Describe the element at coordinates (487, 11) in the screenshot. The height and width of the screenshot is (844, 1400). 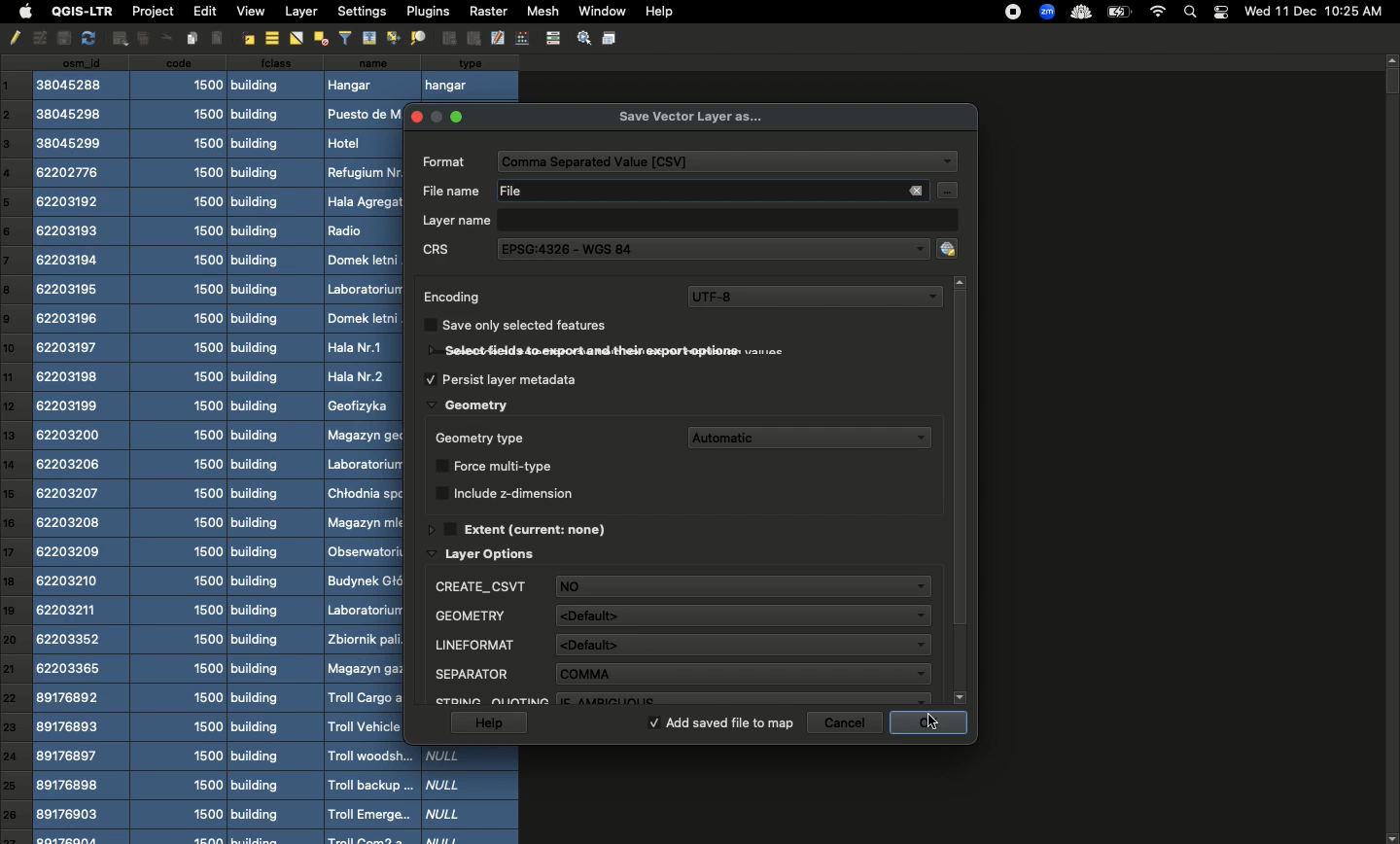
I see `Raster` at that location.